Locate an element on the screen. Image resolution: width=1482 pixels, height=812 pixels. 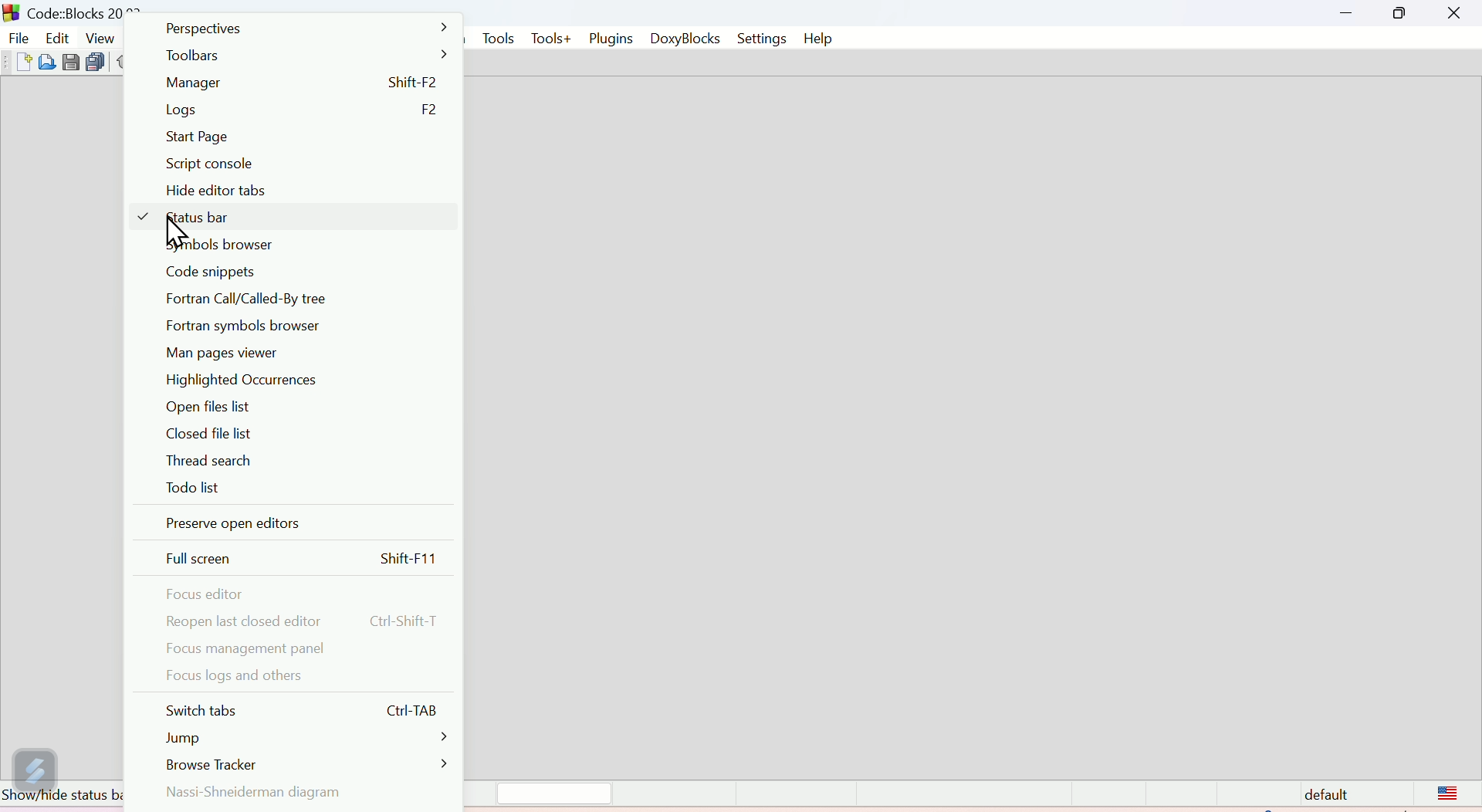
Court blocks 20.03 is located at coordinates (87, 9).